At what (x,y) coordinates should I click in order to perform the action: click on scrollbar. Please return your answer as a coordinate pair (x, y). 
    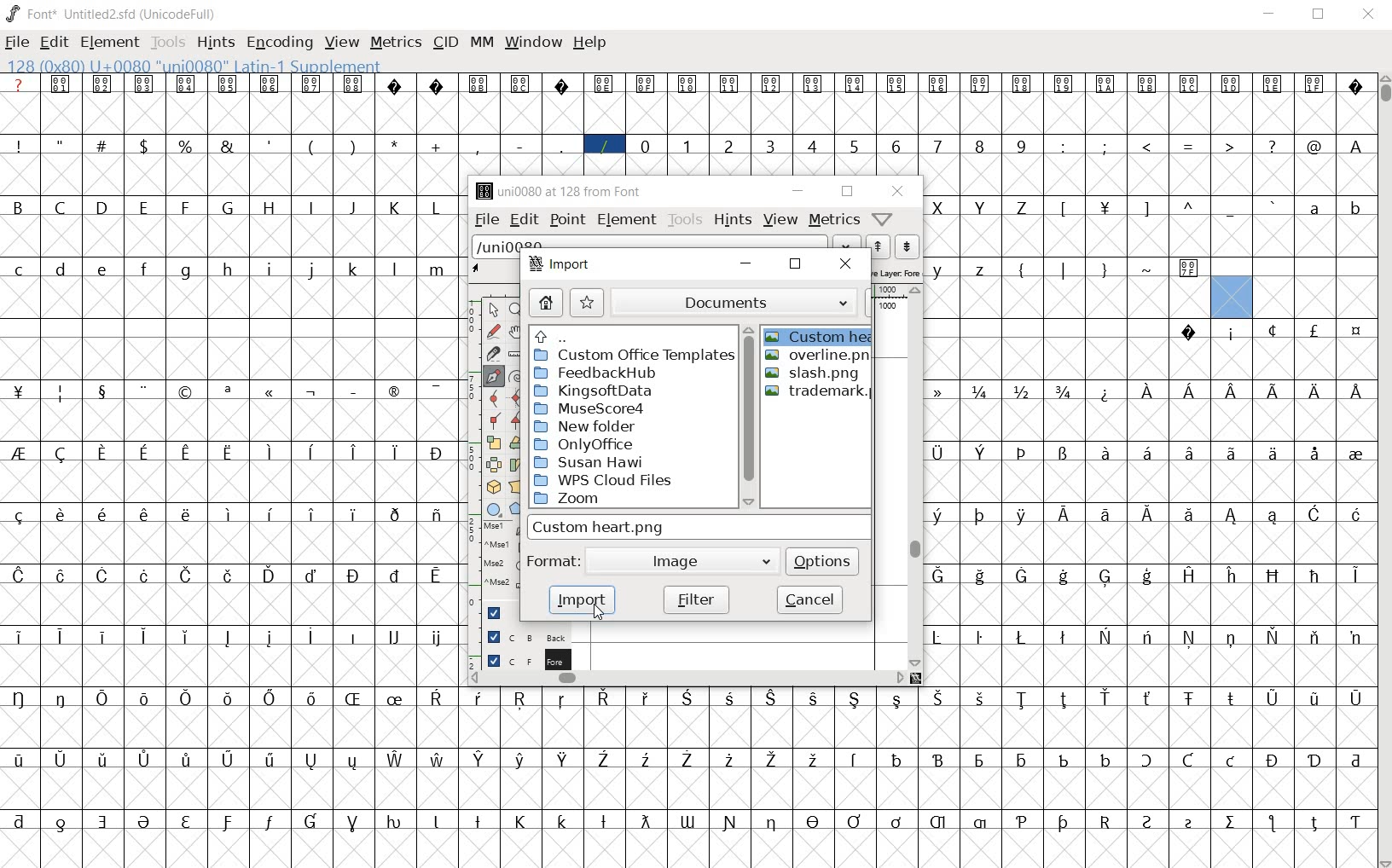
    Looking at the image, I should click on (749, 417).